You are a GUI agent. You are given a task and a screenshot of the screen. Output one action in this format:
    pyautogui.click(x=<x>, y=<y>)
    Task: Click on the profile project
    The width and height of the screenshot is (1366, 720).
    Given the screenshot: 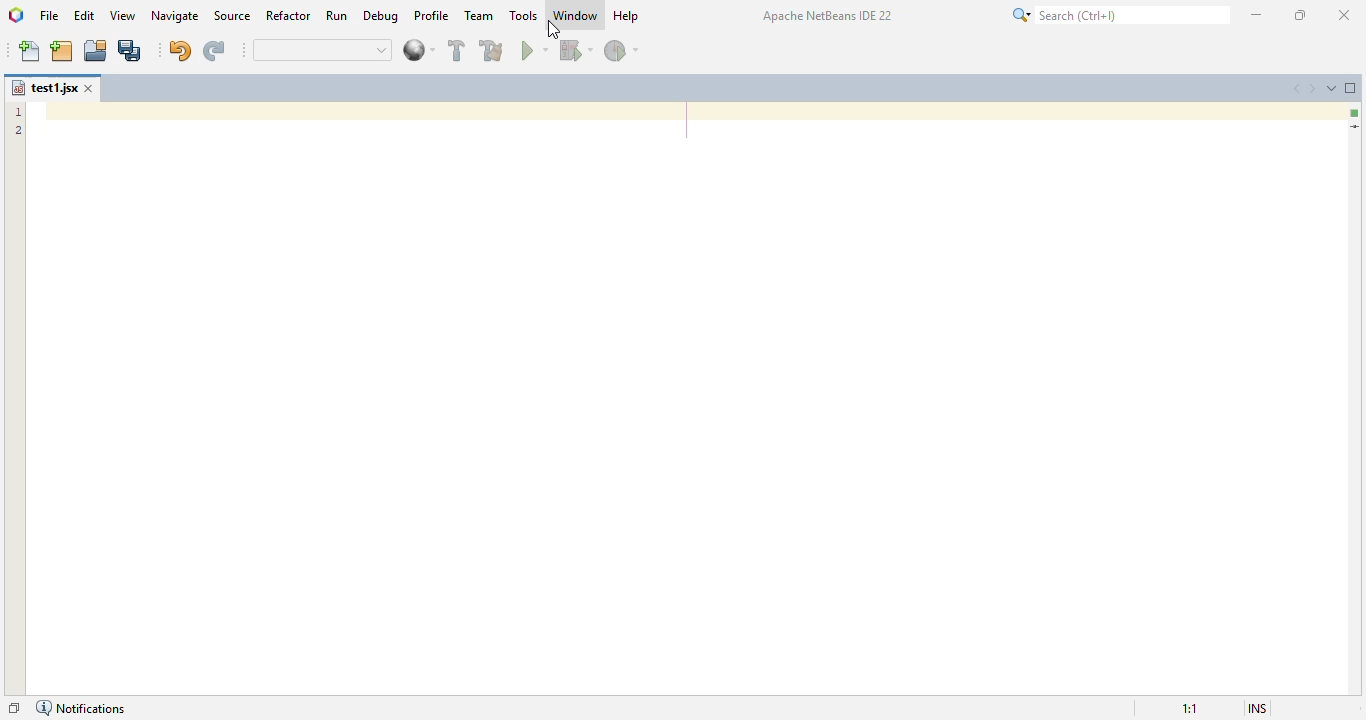 What is the action you would take?
    pyautogui.click(x=622, y=50)
    